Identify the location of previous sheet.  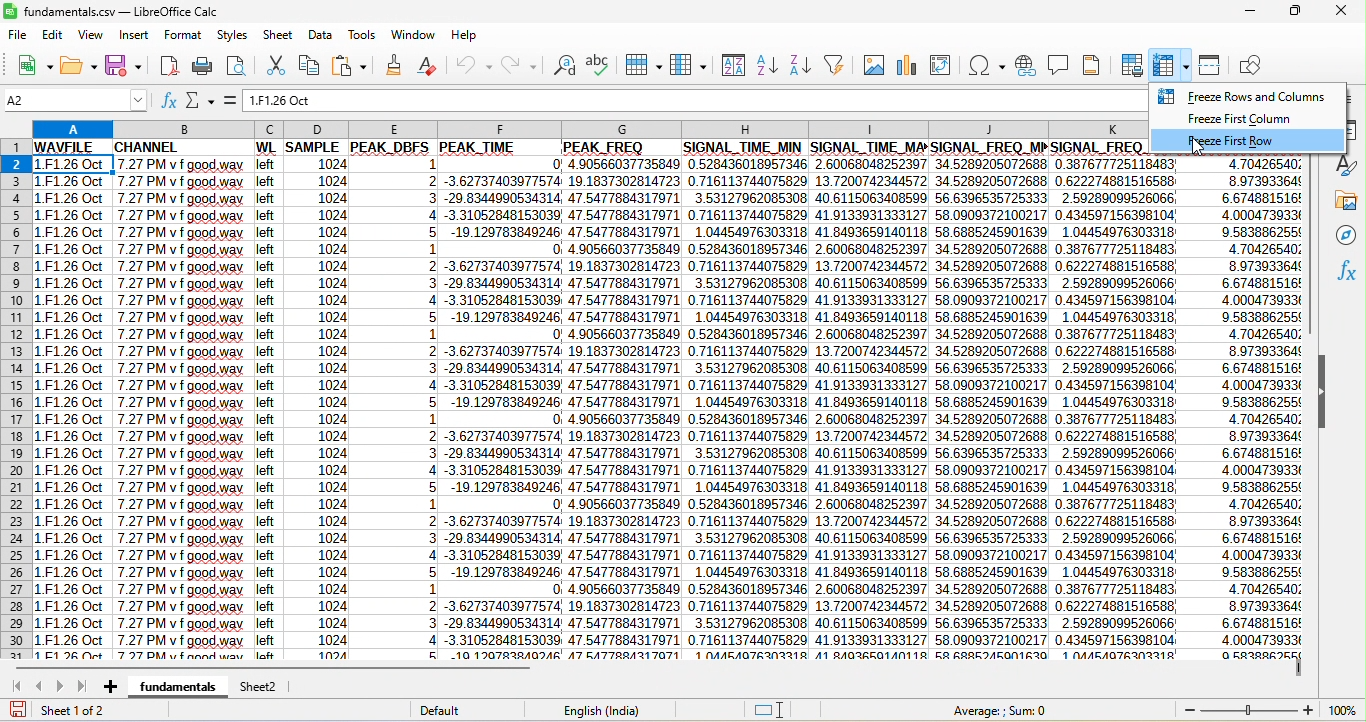
(41, 688).